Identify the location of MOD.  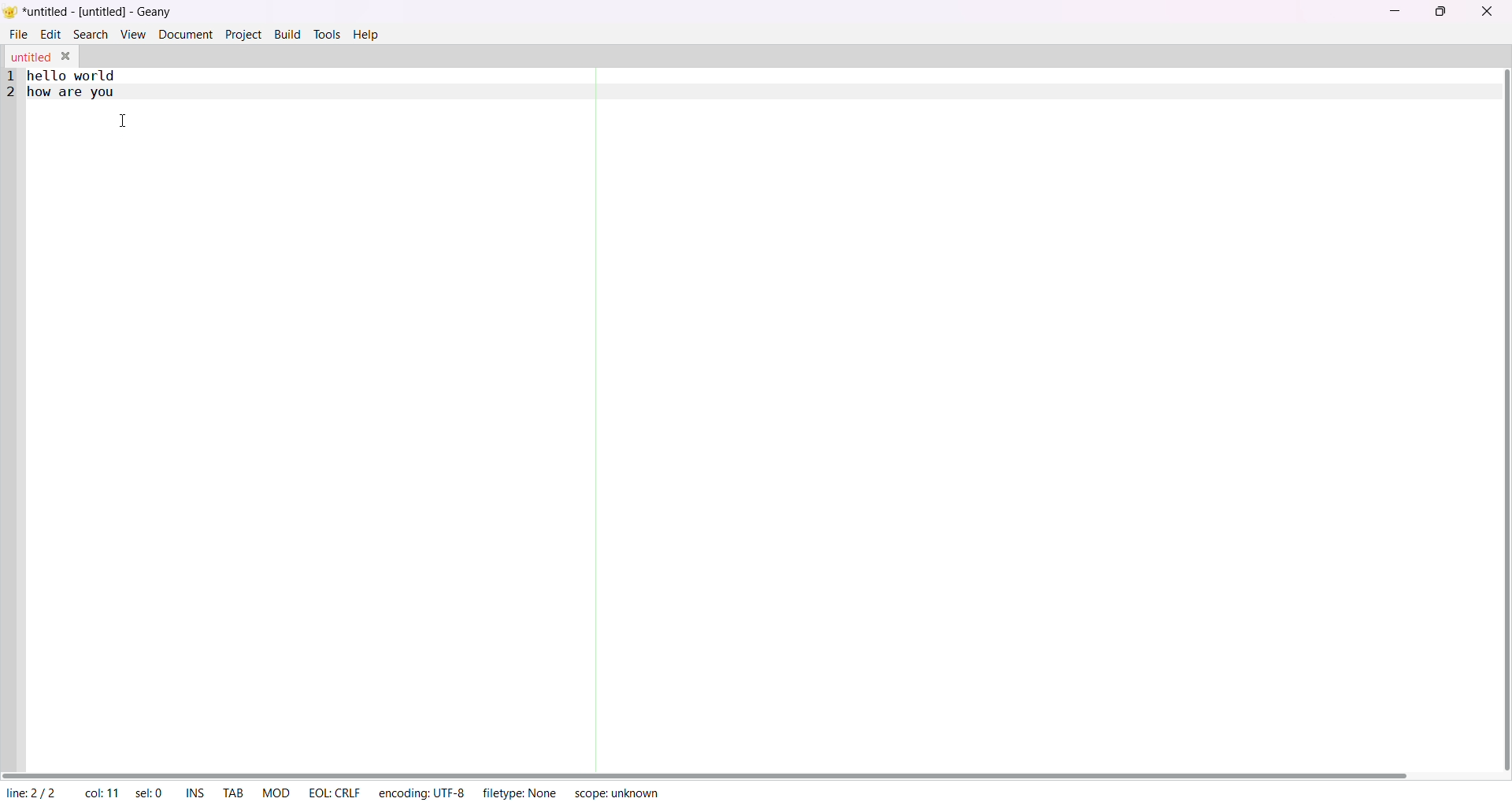
(273, 790).